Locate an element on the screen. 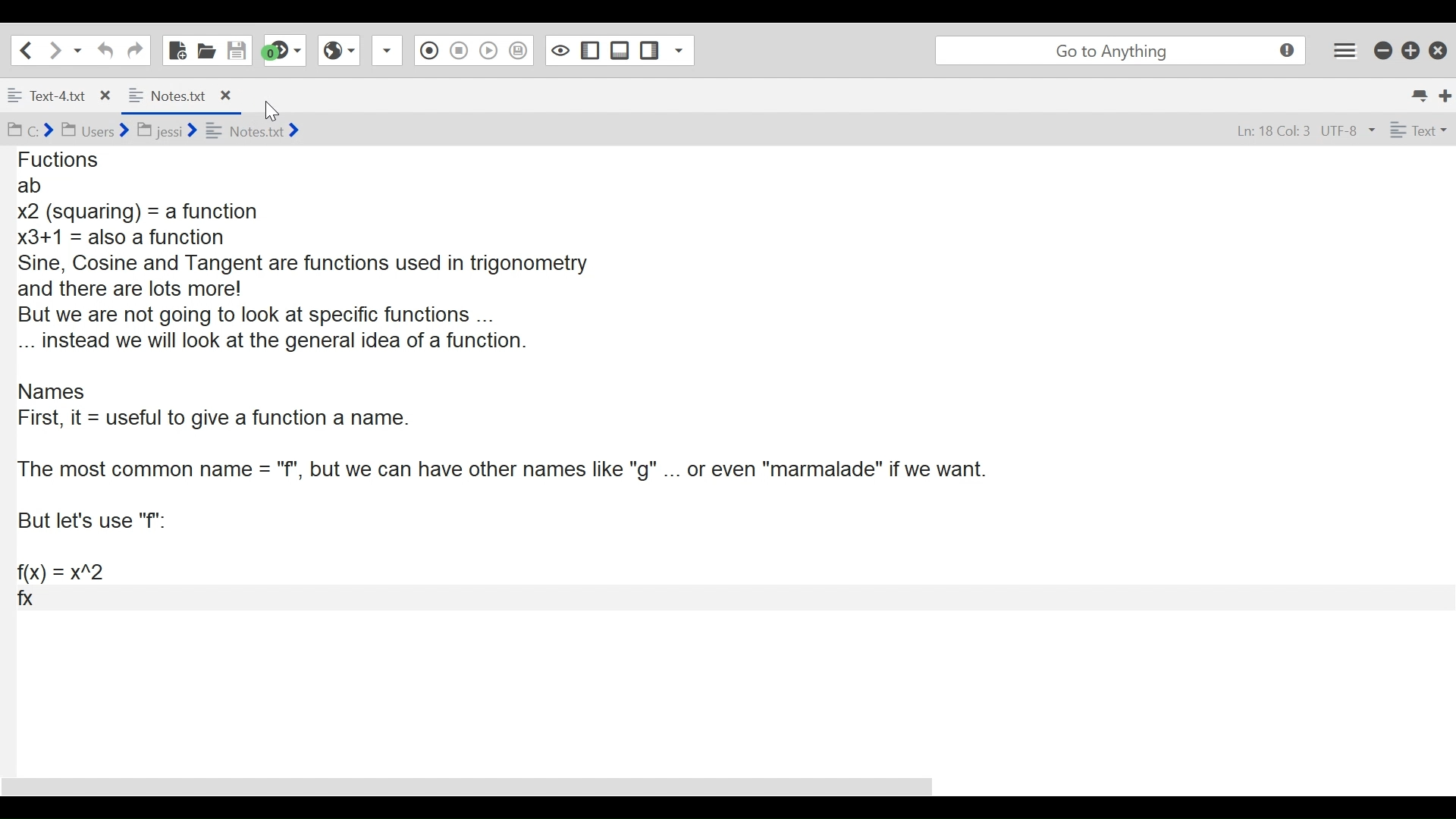  Show/Hide Left Pane is located at coordinates (588, 50).